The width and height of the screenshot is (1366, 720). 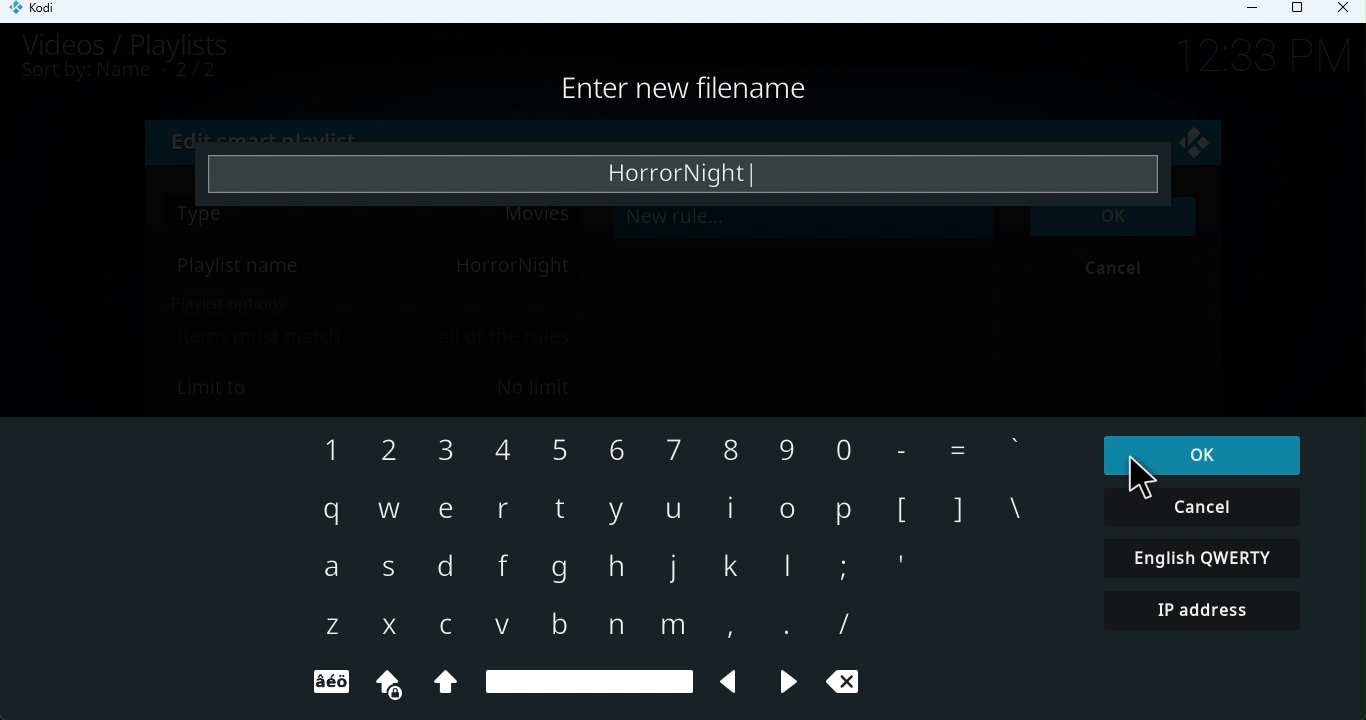 What do you see at coordinates (688, 173) in the screenshot?
I see `Enter playlist name` at bounding box center [688, 173].